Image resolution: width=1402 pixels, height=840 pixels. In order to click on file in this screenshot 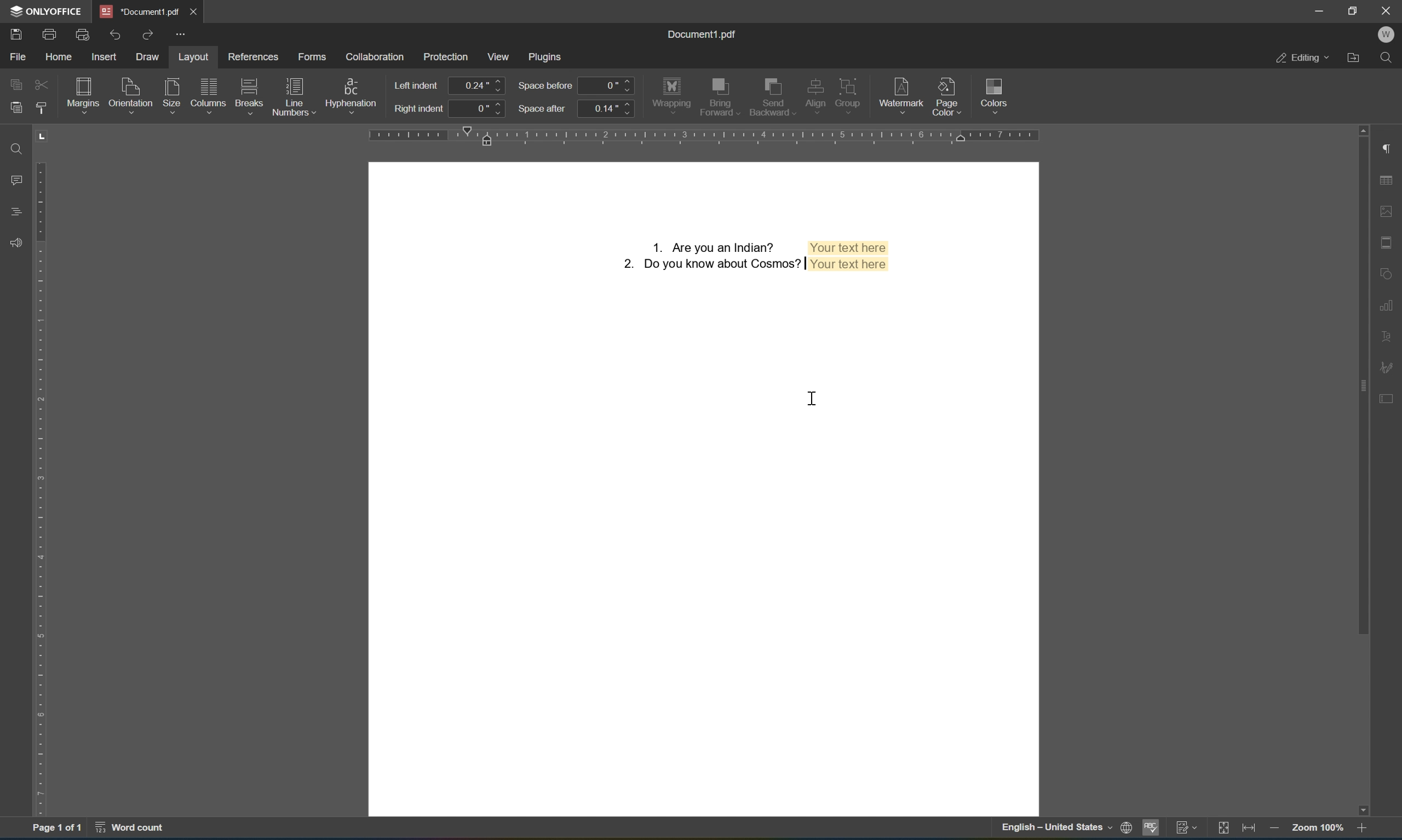, I will do `click(18, 57)`.